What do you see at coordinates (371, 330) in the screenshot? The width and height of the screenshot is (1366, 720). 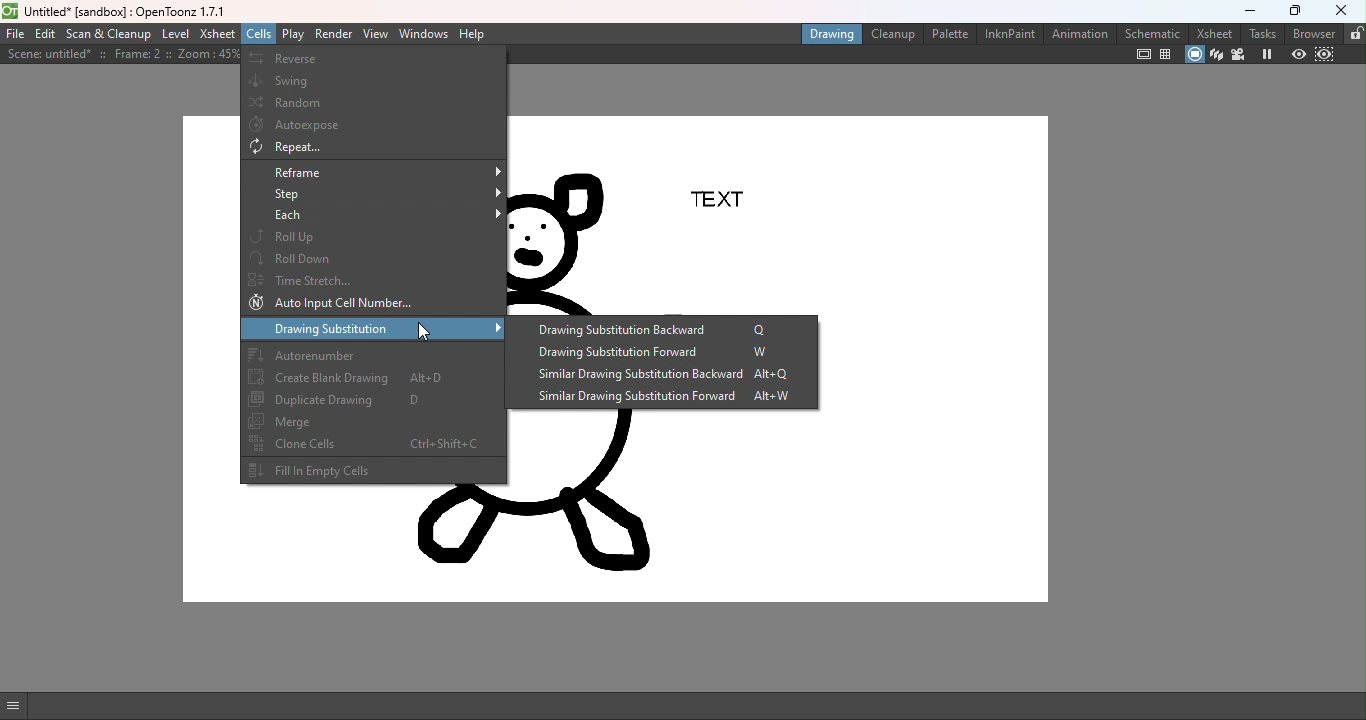 I see `Drawing substitution` at bounding box center [371, 330].